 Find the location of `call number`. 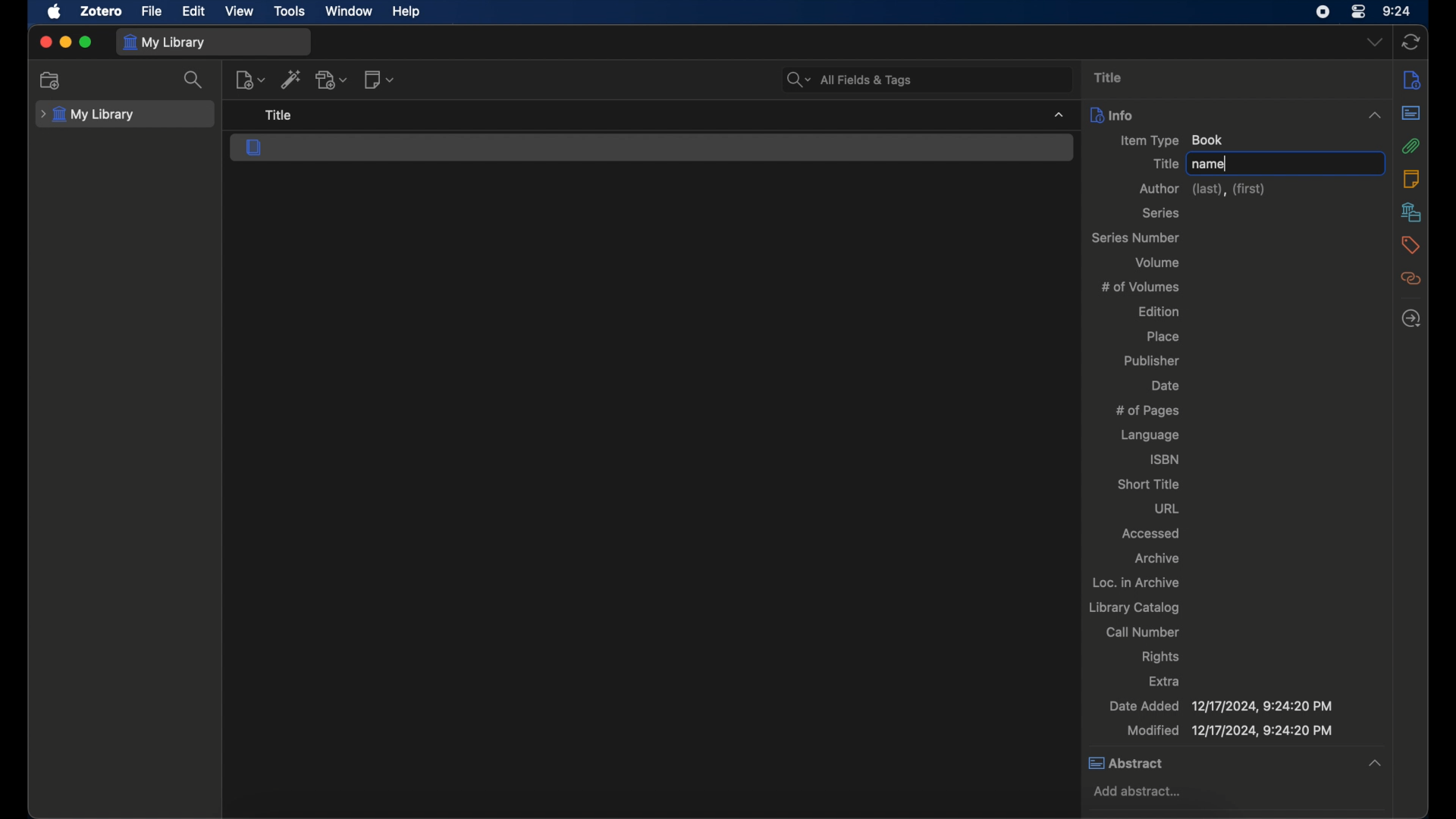

call number is located at coordinates (1143, 632).